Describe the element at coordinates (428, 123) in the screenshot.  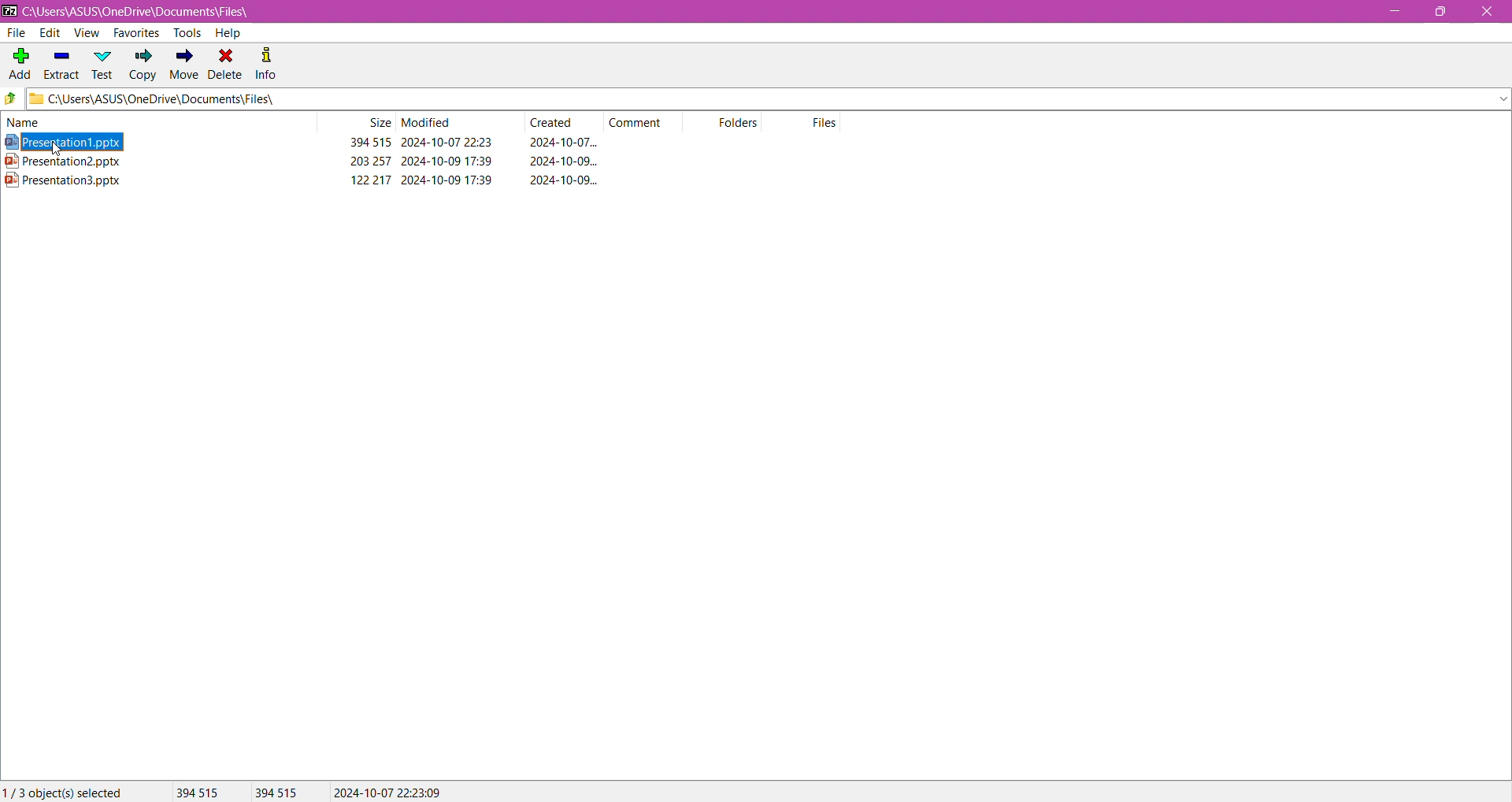
I see `Modified` at that location.